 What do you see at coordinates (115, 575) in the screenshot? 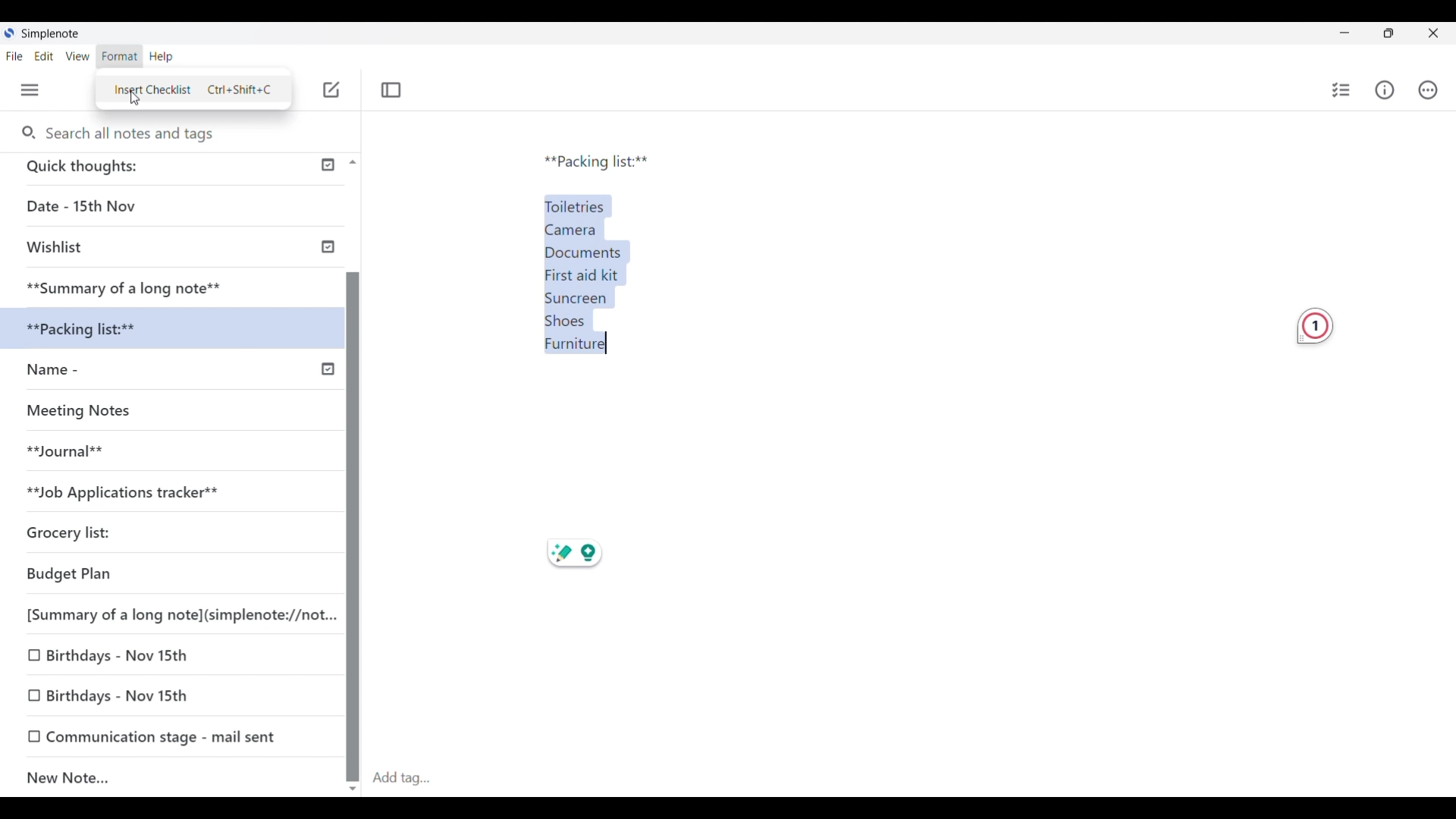
I see `Budget Plan` at bounding box center [115, 575].